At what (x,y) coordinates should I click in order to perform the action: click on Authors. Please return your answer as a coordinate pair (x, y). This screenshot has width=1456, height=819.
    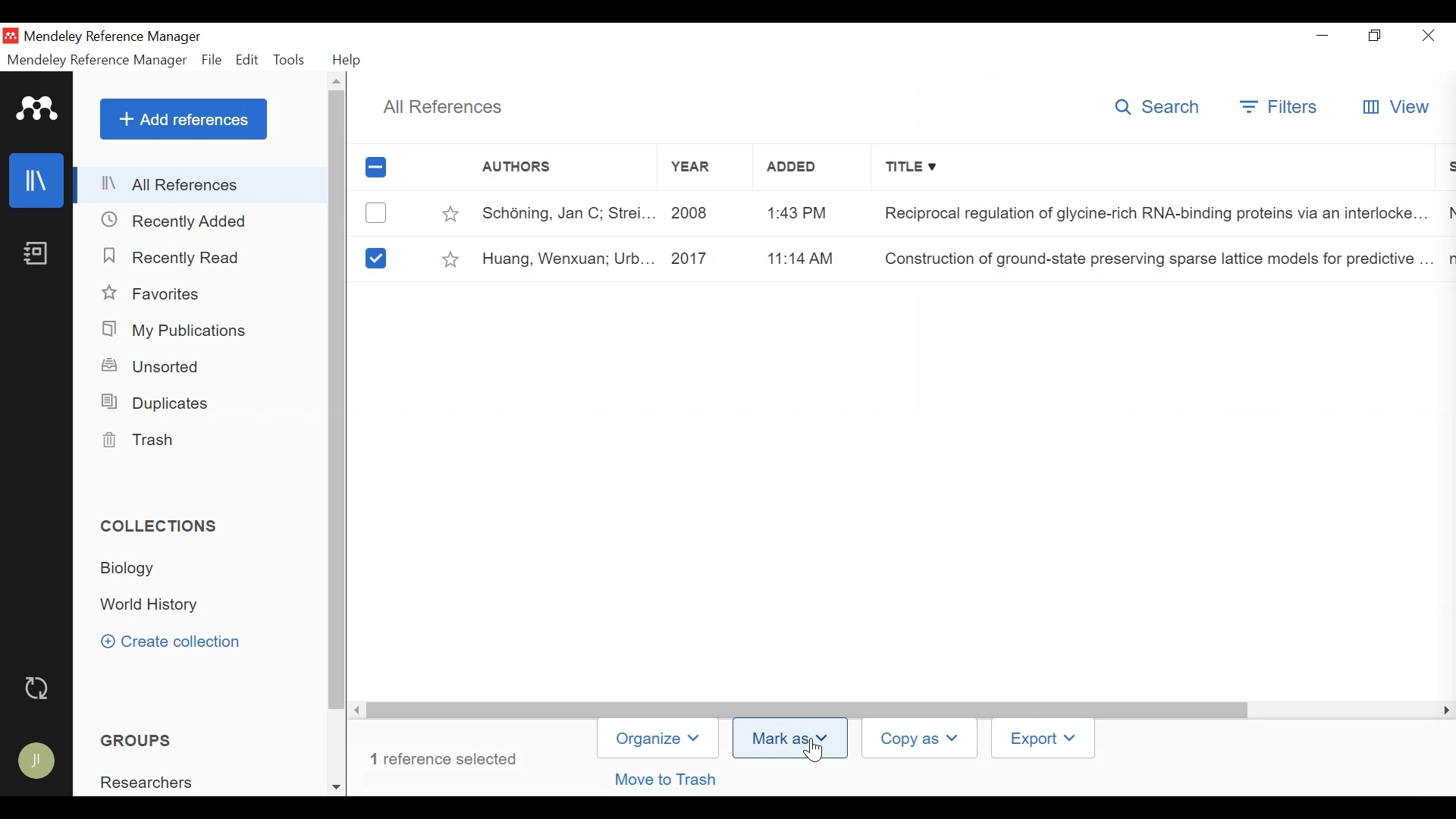
    Looking at the image, I should click on (549, 168).